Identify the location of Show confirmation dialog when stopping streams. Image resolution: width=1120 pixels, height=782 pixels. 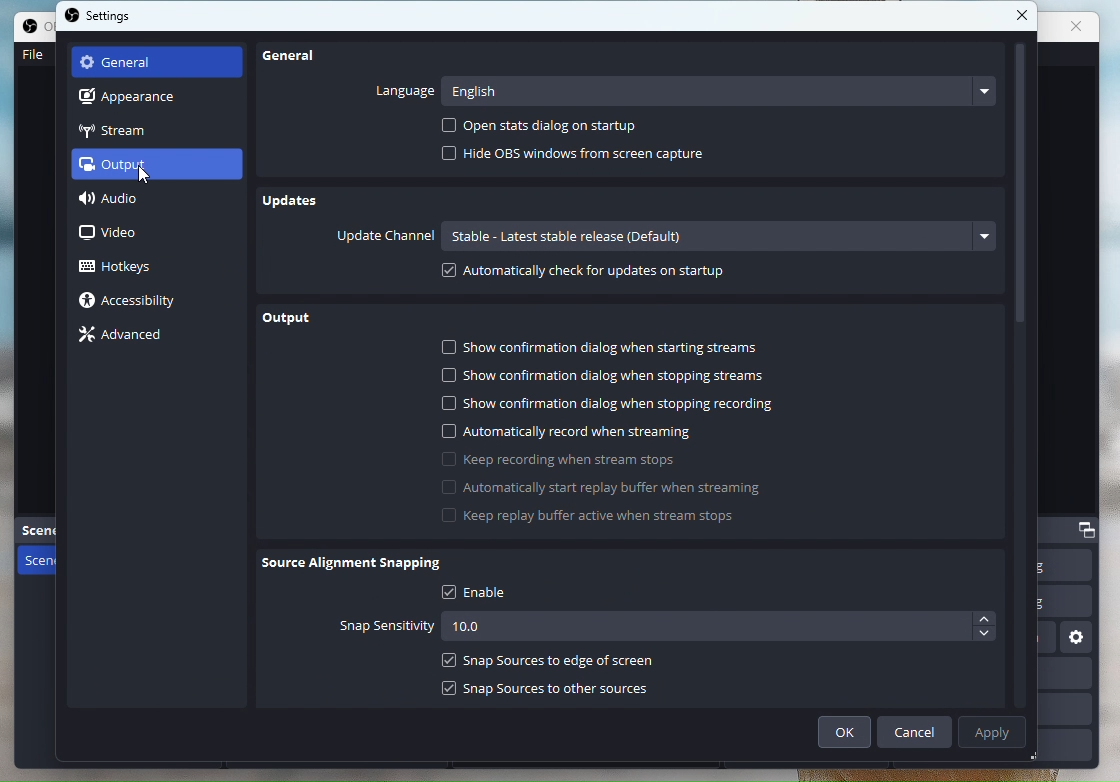
(609, 377).